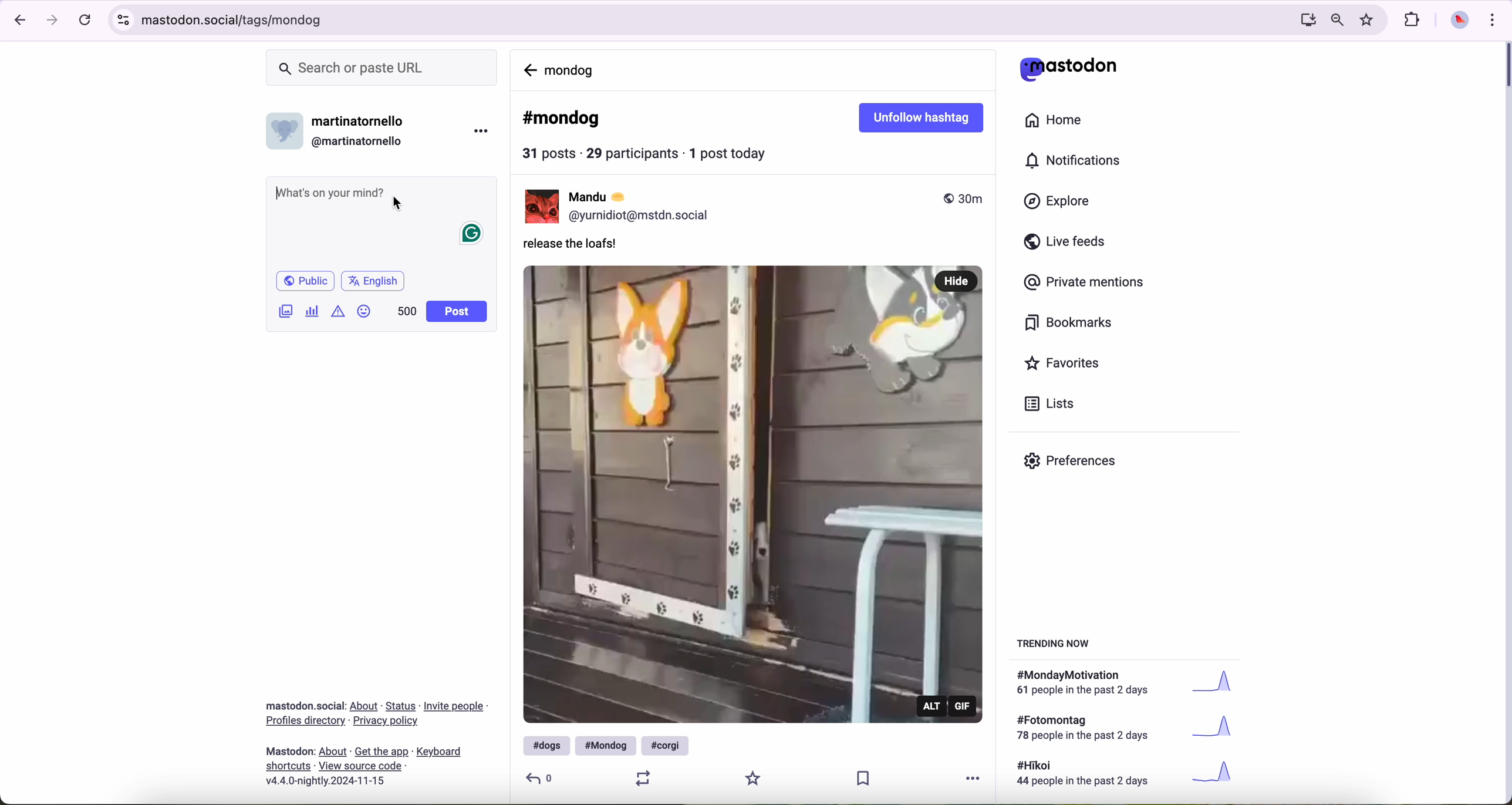 This screenshot has height=805, width=1512. I want to click on gif, so click(753, 492).